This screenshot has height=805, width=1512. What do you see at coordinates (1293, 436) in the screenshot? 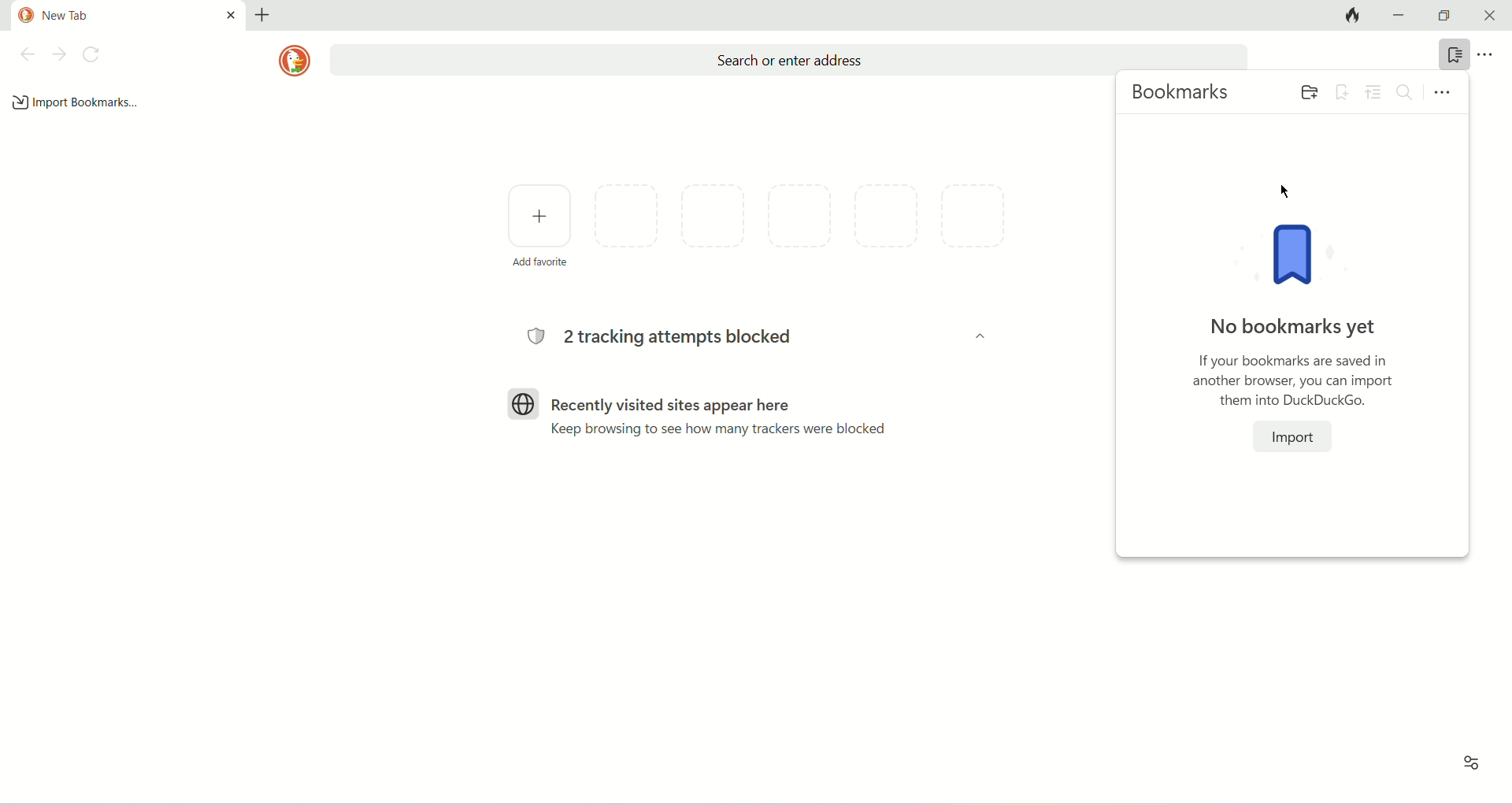
I see `import` at bounding box center [1293, 436].